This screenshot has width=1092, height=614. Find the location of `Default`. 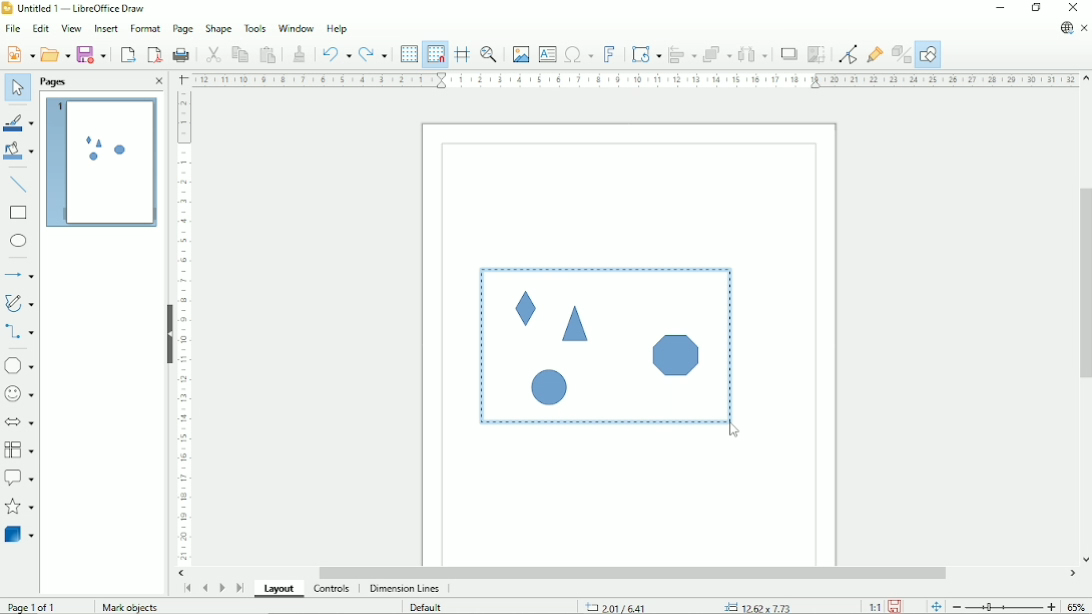

Default is located at coordinates (429, 606).